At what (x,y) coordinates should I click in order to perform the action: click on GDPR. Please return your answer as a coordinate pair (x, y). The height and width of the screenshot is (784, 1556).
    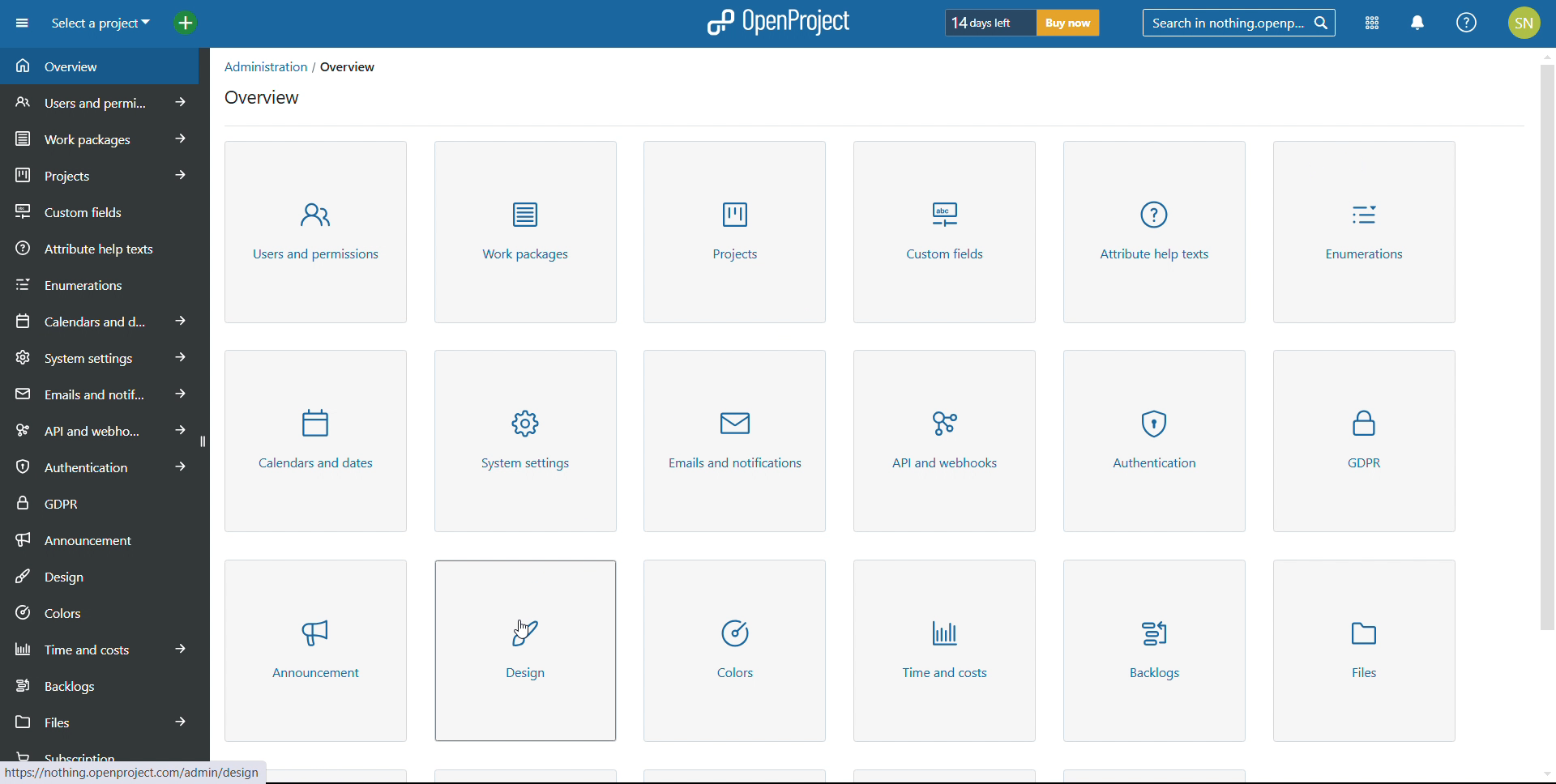
    Looking at the image, I should click on (1364, 441).